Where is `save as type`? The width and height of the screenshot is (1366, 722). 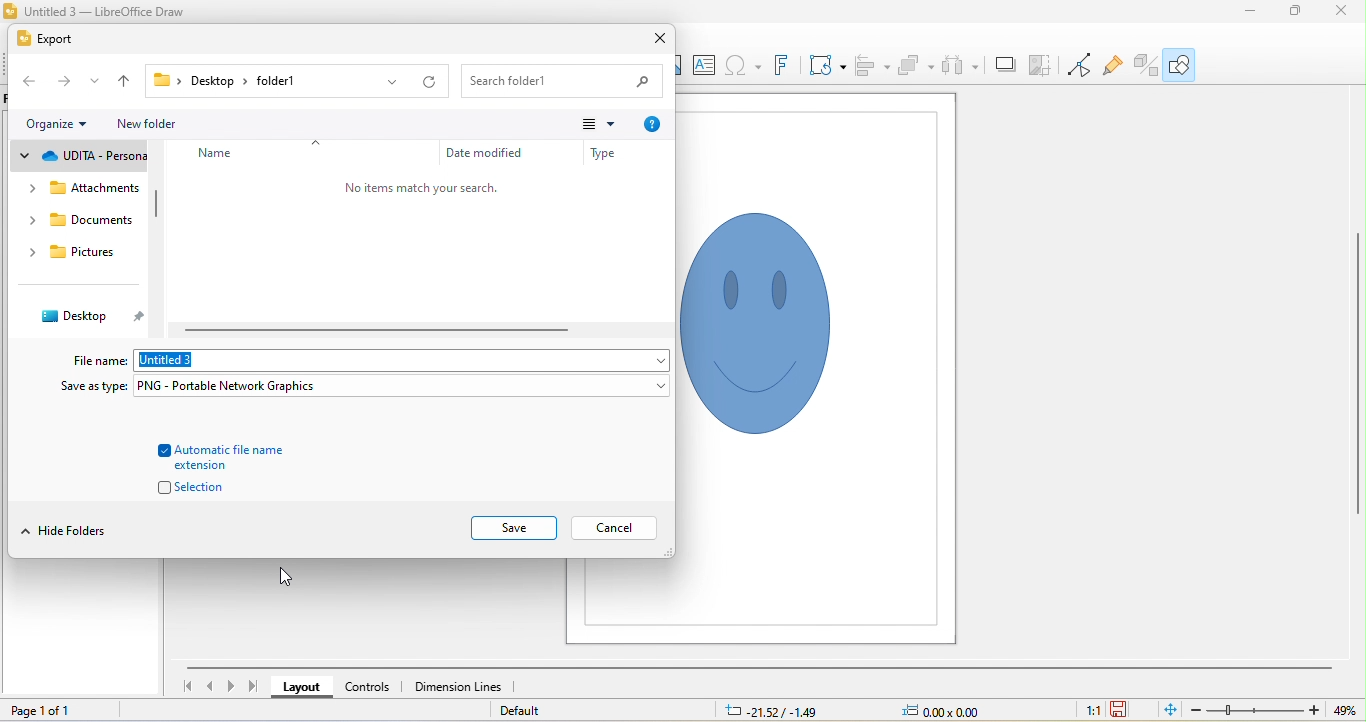
save as type is located at coordinates (95, 388).